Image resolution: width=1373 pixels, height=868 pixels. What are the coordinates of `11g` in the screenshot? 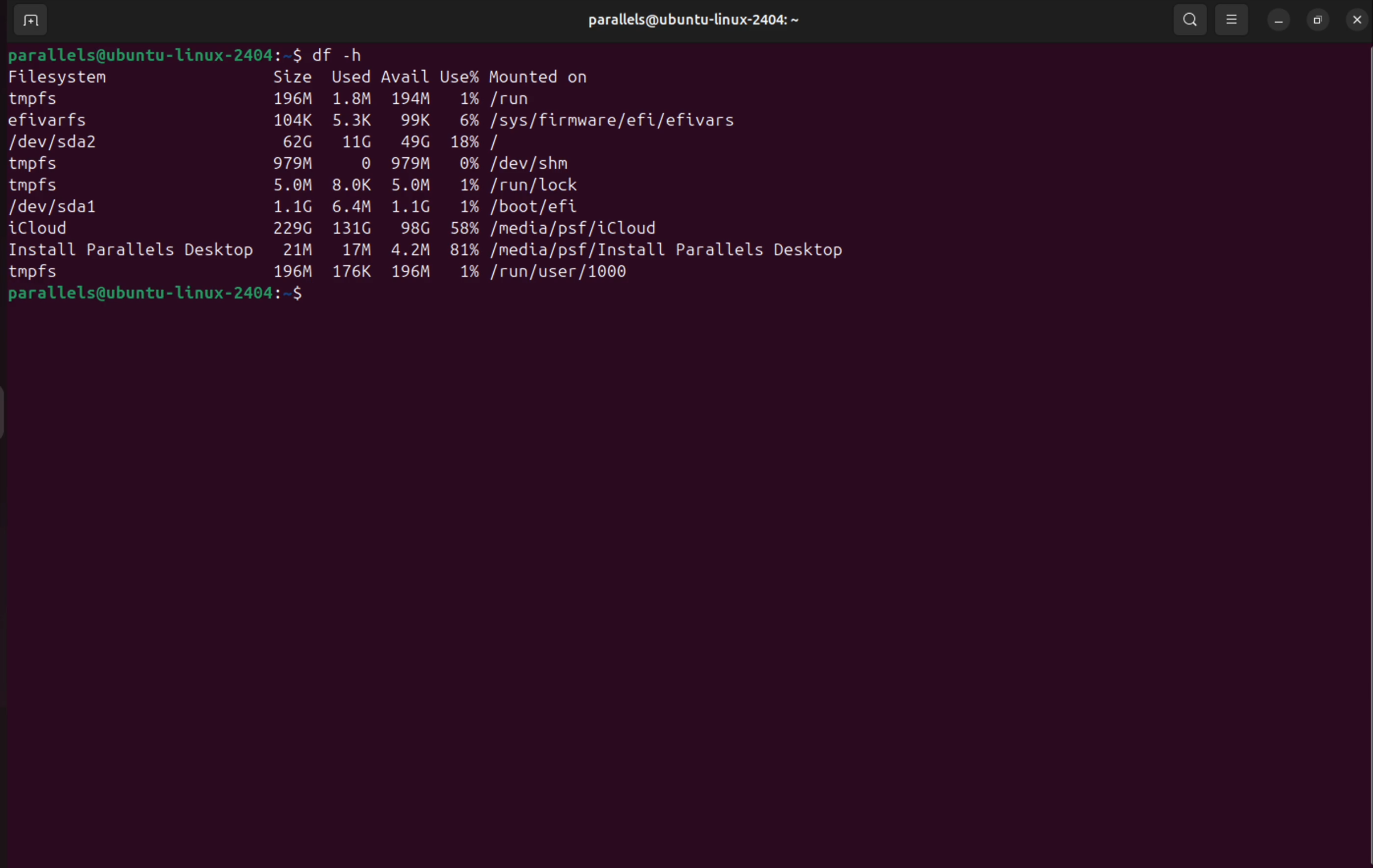 It's located at (353, 142).